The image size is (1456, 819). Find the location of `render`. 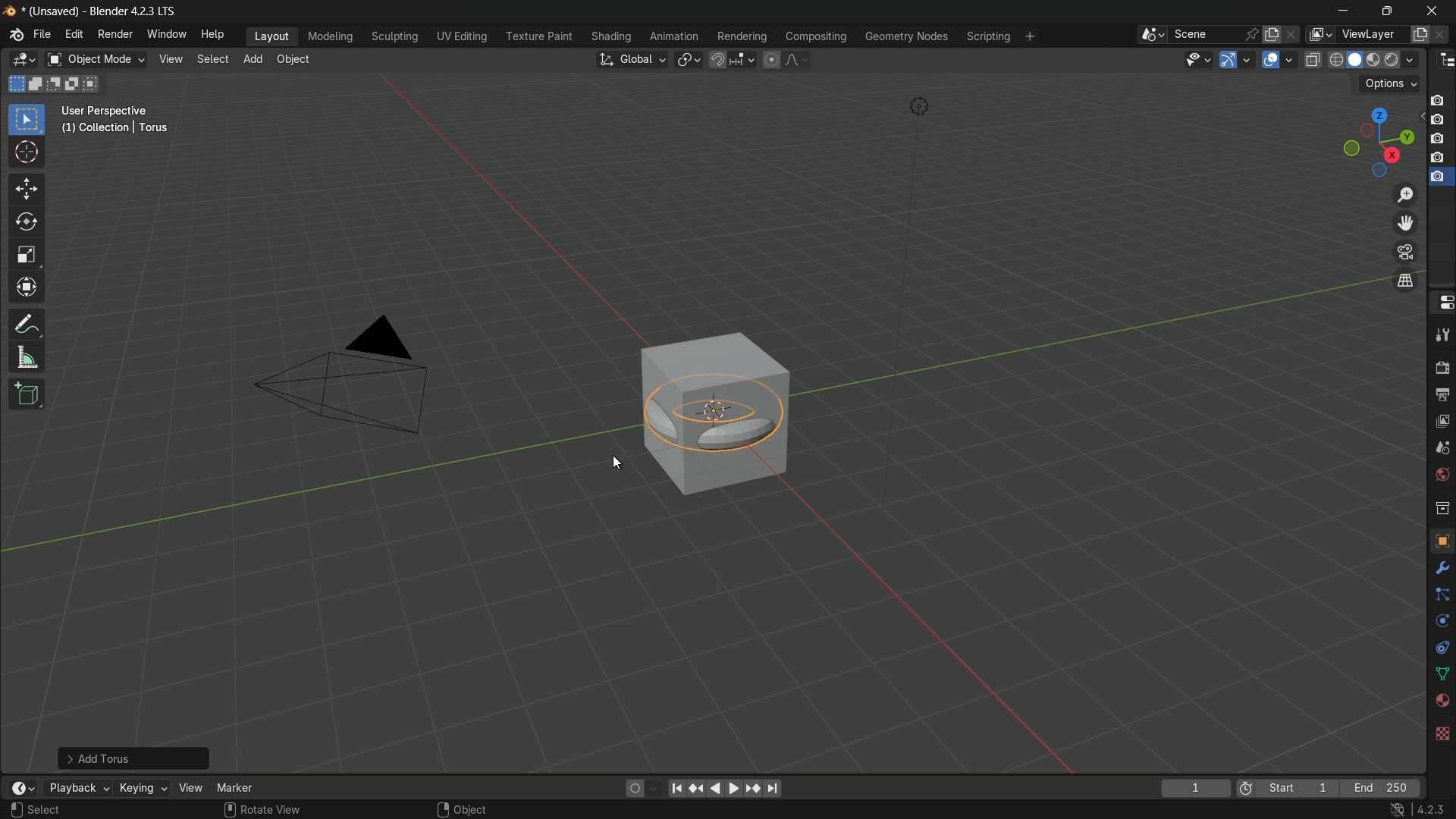

render is located at coordinates (1376, 61).